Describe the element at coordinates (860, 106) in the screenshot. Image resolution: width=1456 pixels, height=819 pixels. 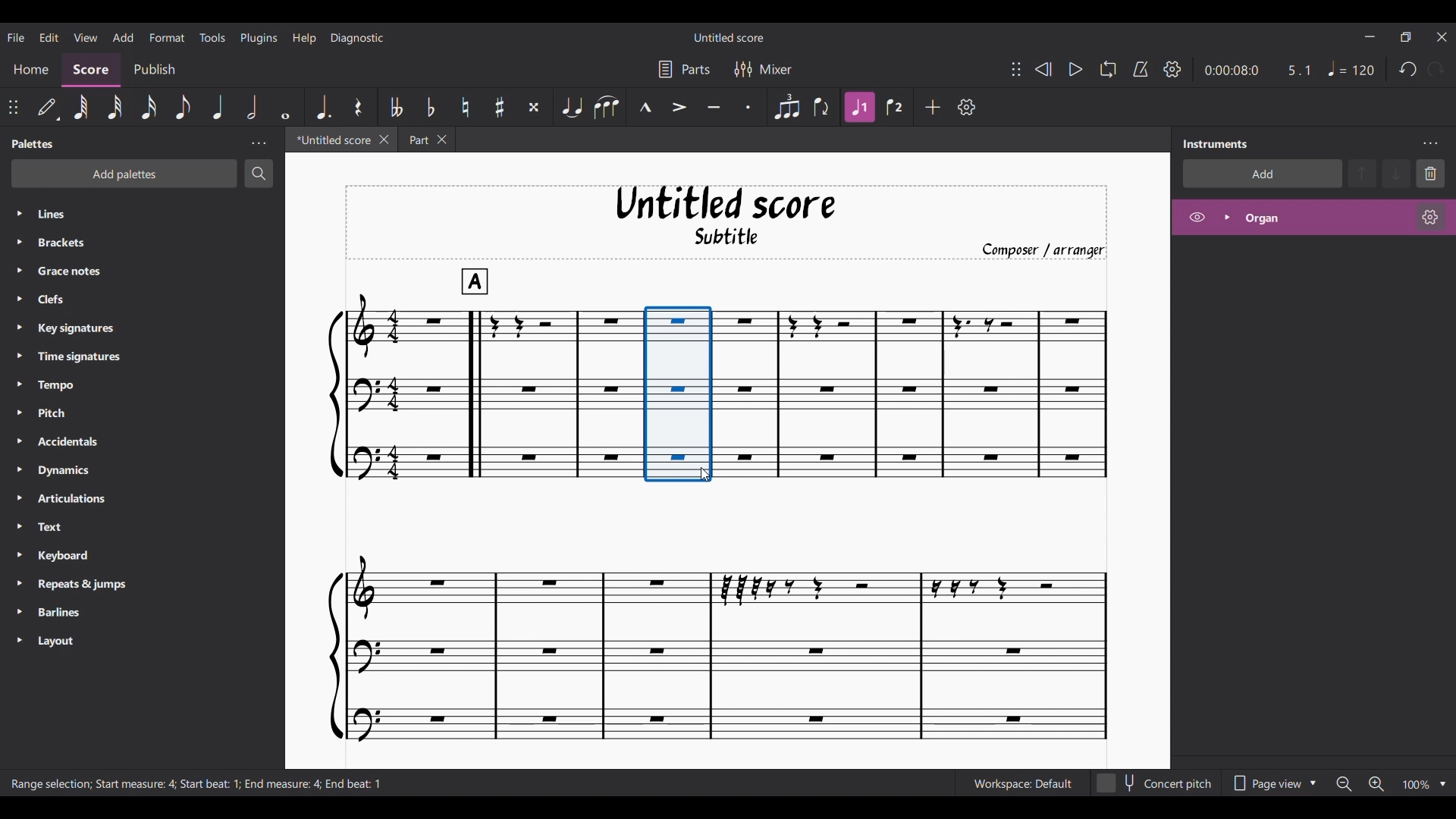
I see `Highlighted after current selection` at that location.